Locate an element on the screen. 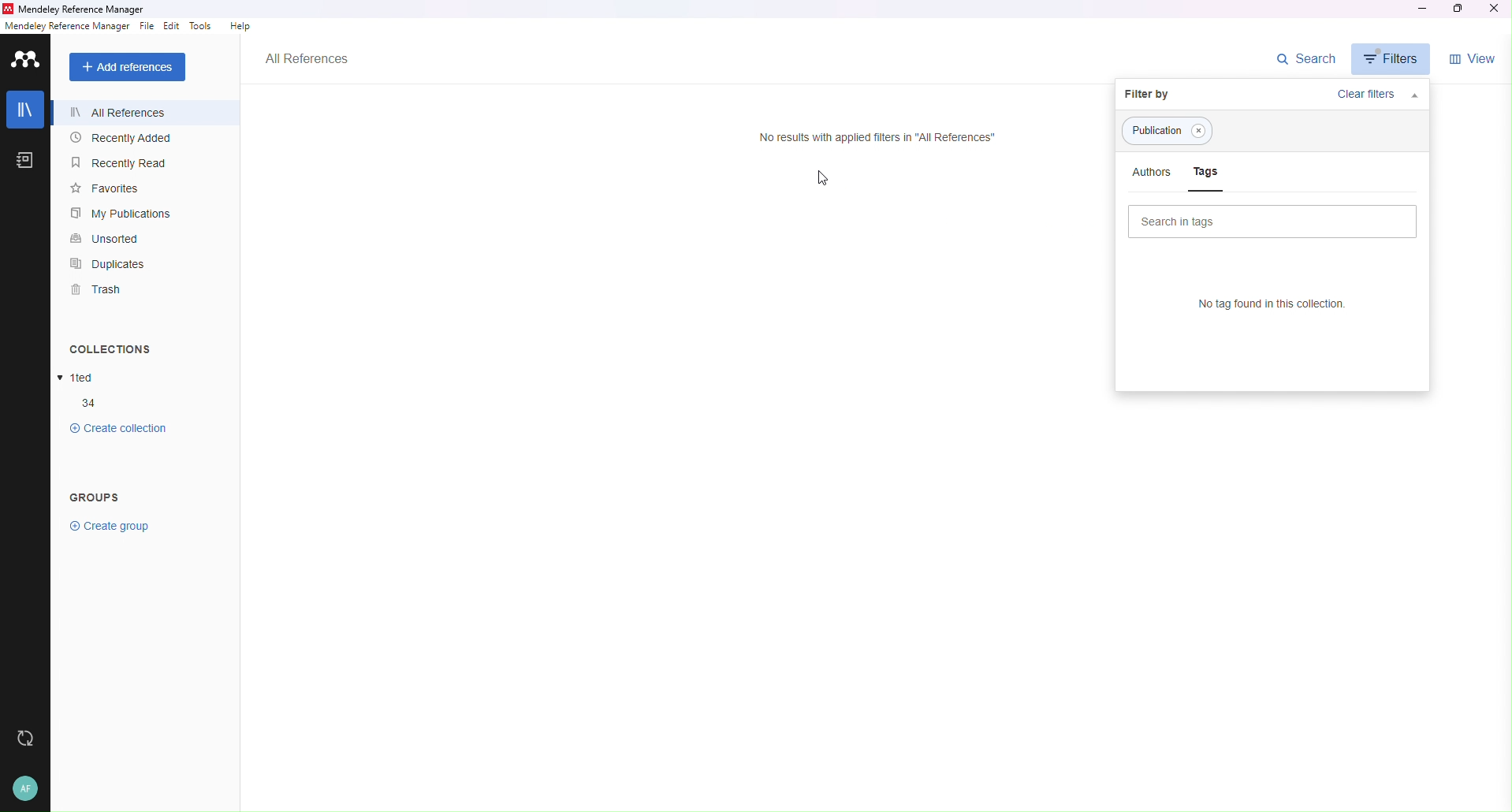 The width and height of the screenshot is (1512, 812). Duplicates is located at coordinates (127, 265).